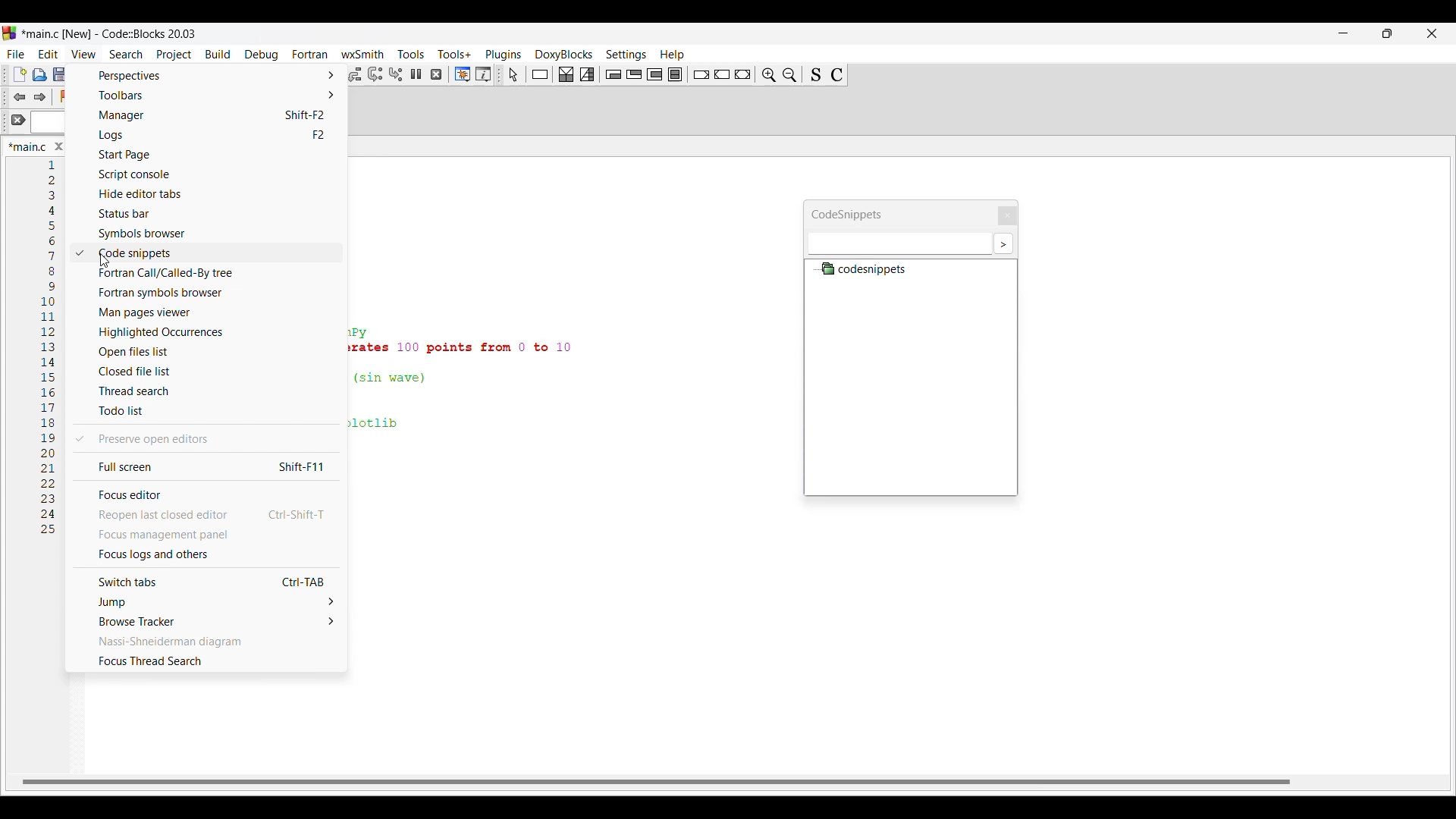 This screenshot has width=1456, height=819. What do you see at coordinates (896, 243) in the screenshot?
I see `Text box` at bounding box center [896, 243].